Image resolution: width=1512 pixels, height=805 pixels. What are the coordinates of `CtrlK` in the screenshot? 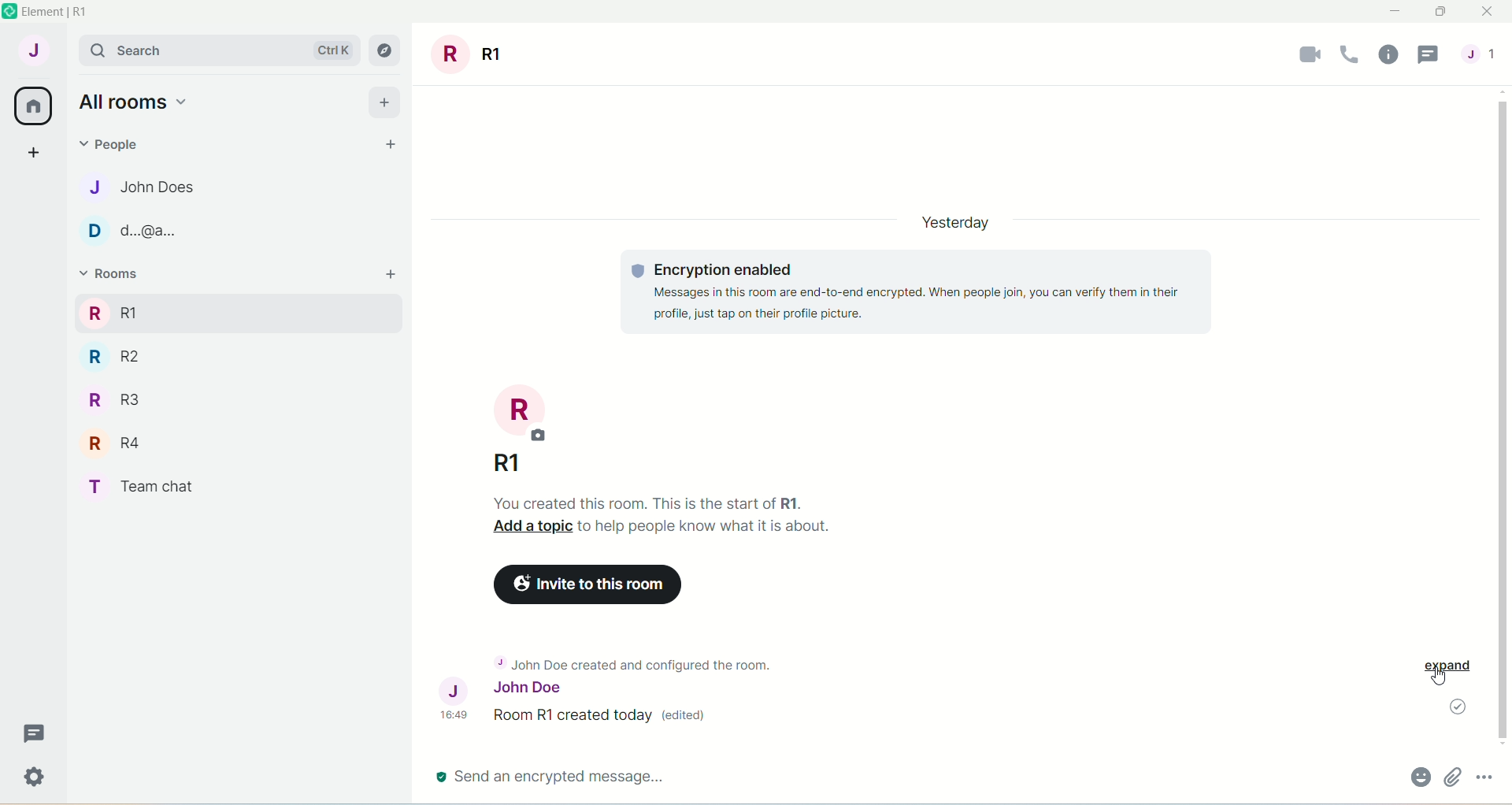 It's located at (328, 50).